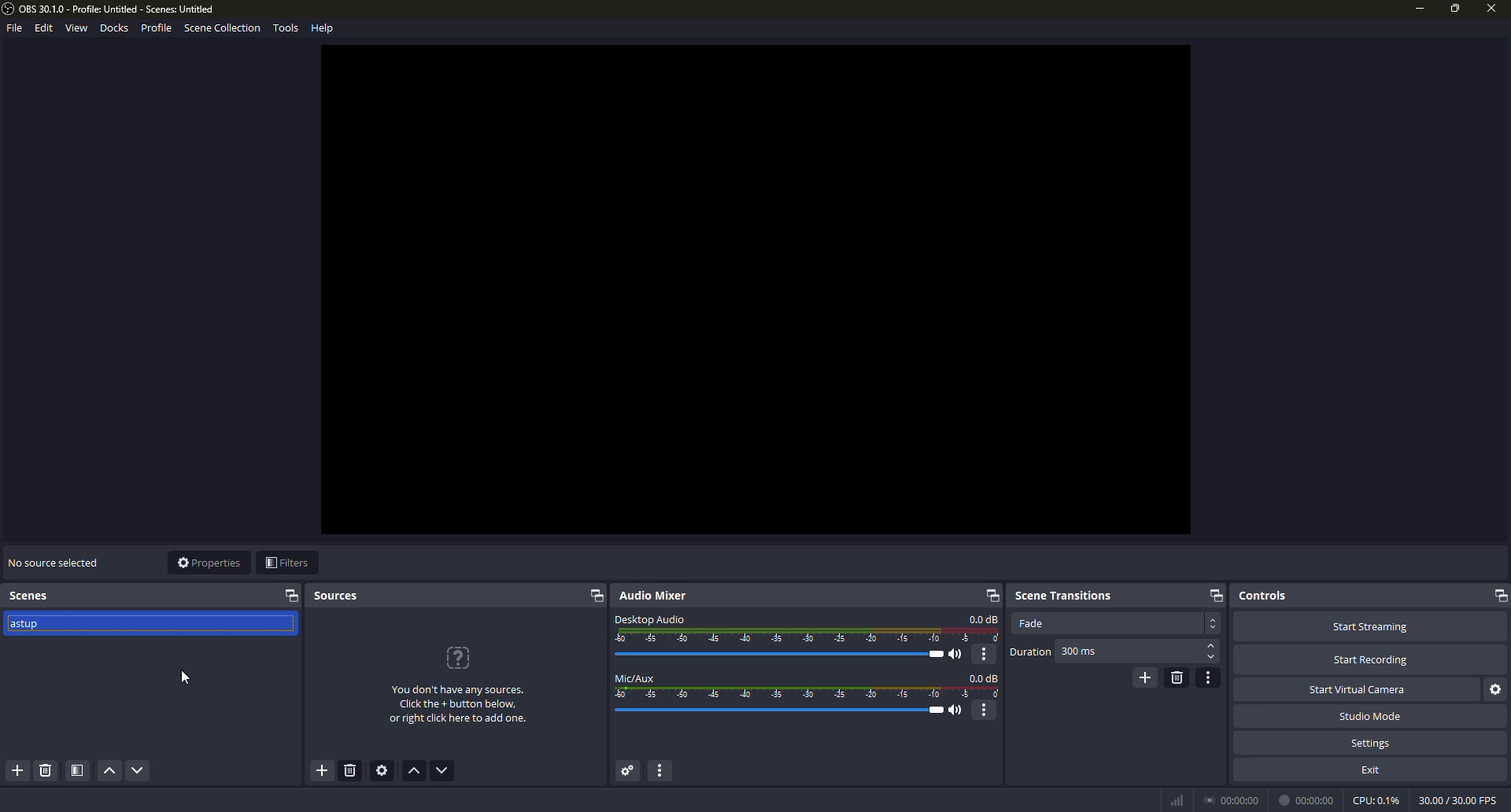 The height and width of the screenshot is (812, 1511). Describe the element at coordinates (1214, 595) in the screenshot. I see `expand` at that location.